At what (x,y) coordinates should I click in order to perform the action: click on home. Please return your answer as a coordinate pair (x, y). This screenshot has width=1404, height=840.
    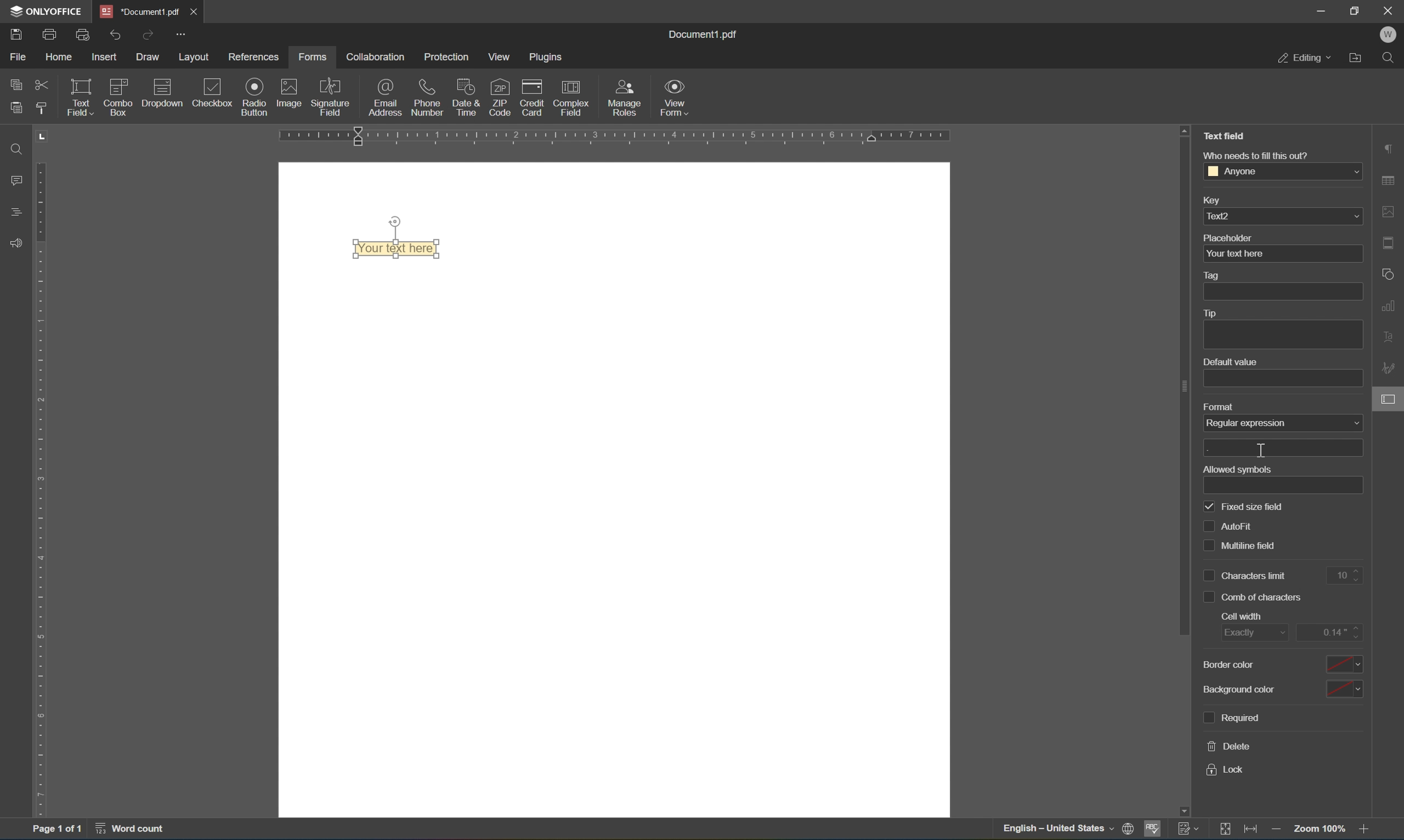
    Looking at the image, I should click on (60, 55).